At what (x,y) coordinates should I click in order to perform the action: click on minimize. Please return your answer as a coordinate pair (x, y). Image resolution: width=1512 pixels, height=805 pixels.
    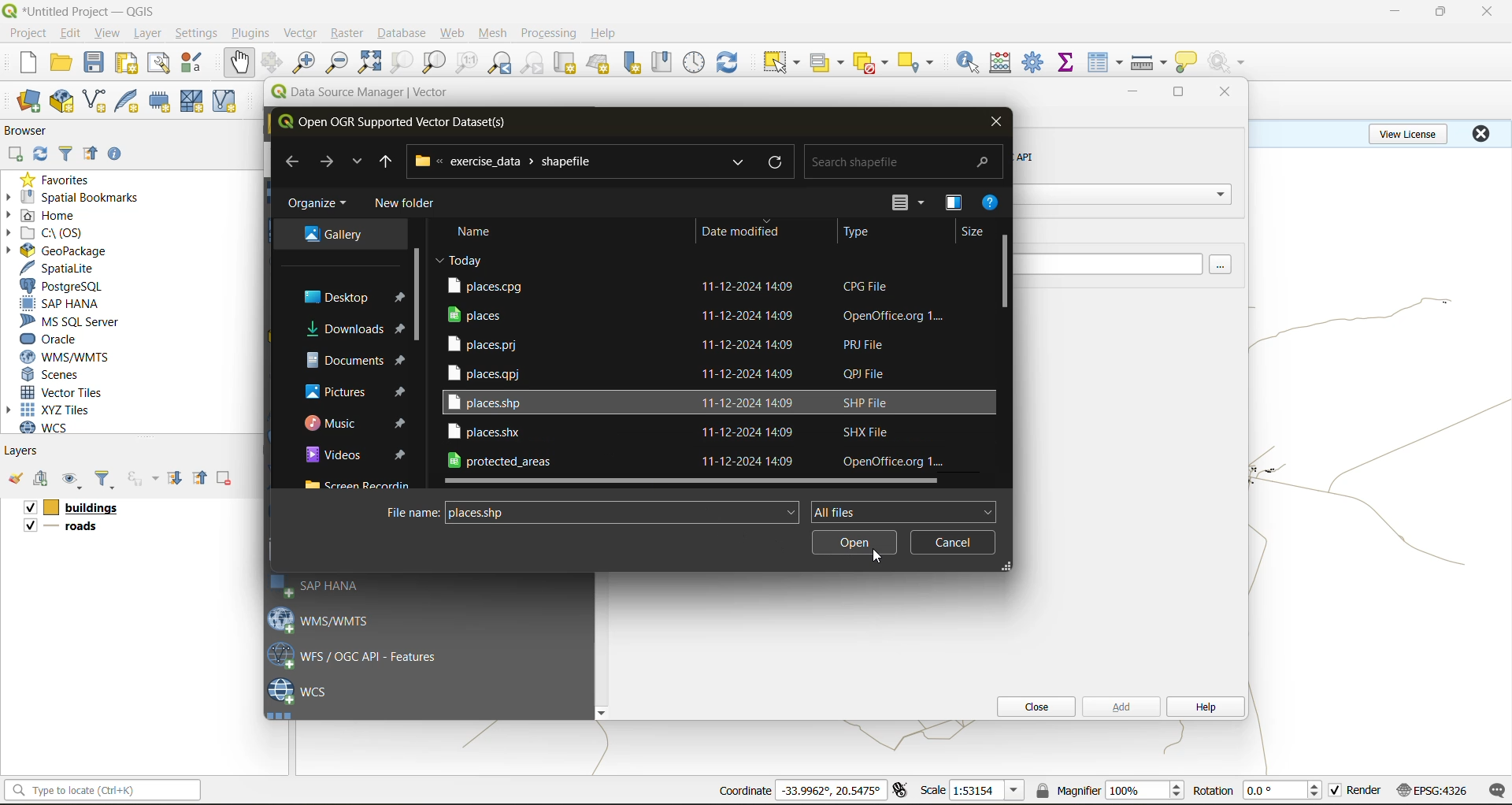
    Looking at the image, I should click on (1395, 11).